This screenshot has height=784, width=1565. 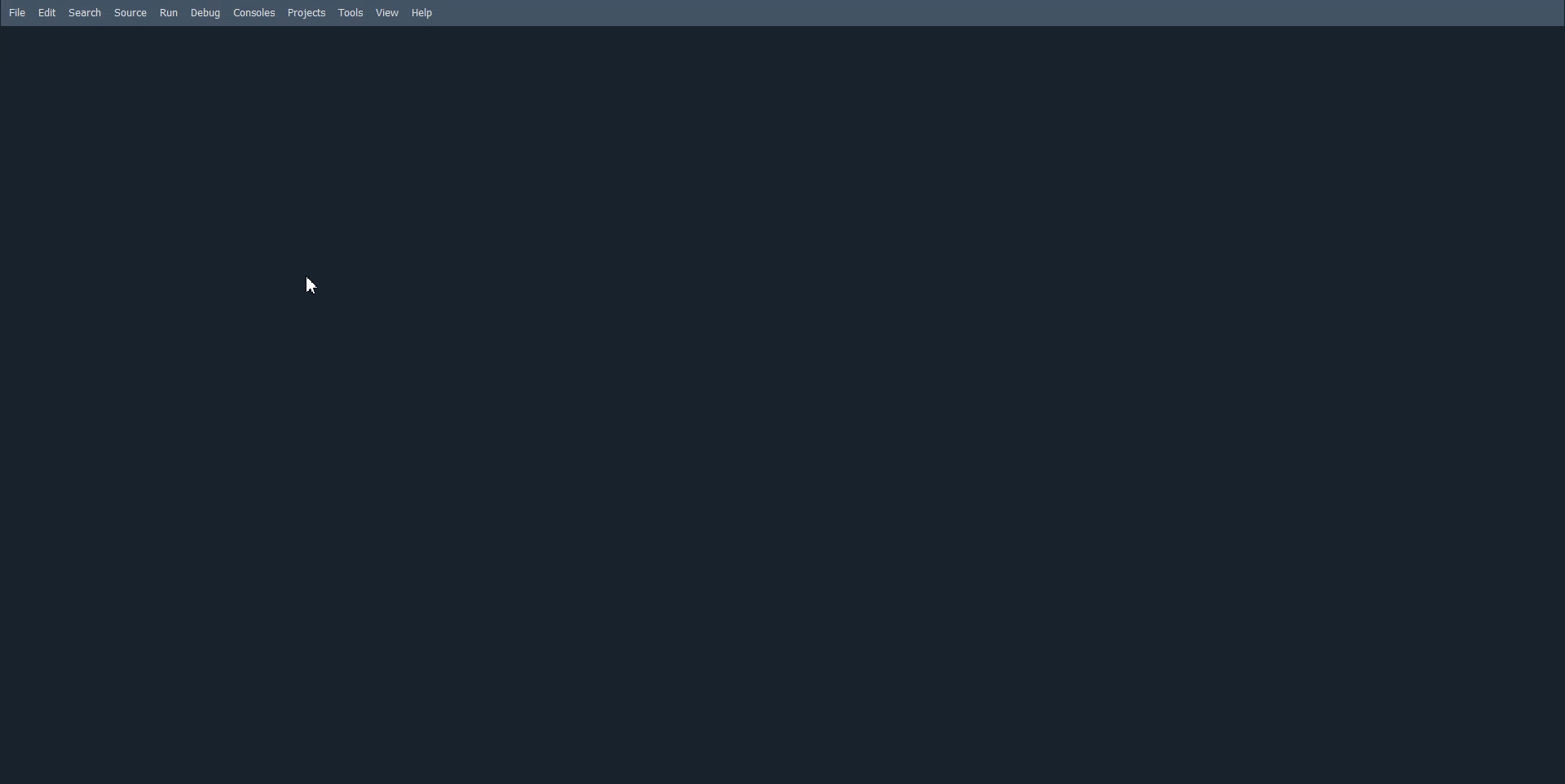 I want to click on File, so click(x=17, y=11).